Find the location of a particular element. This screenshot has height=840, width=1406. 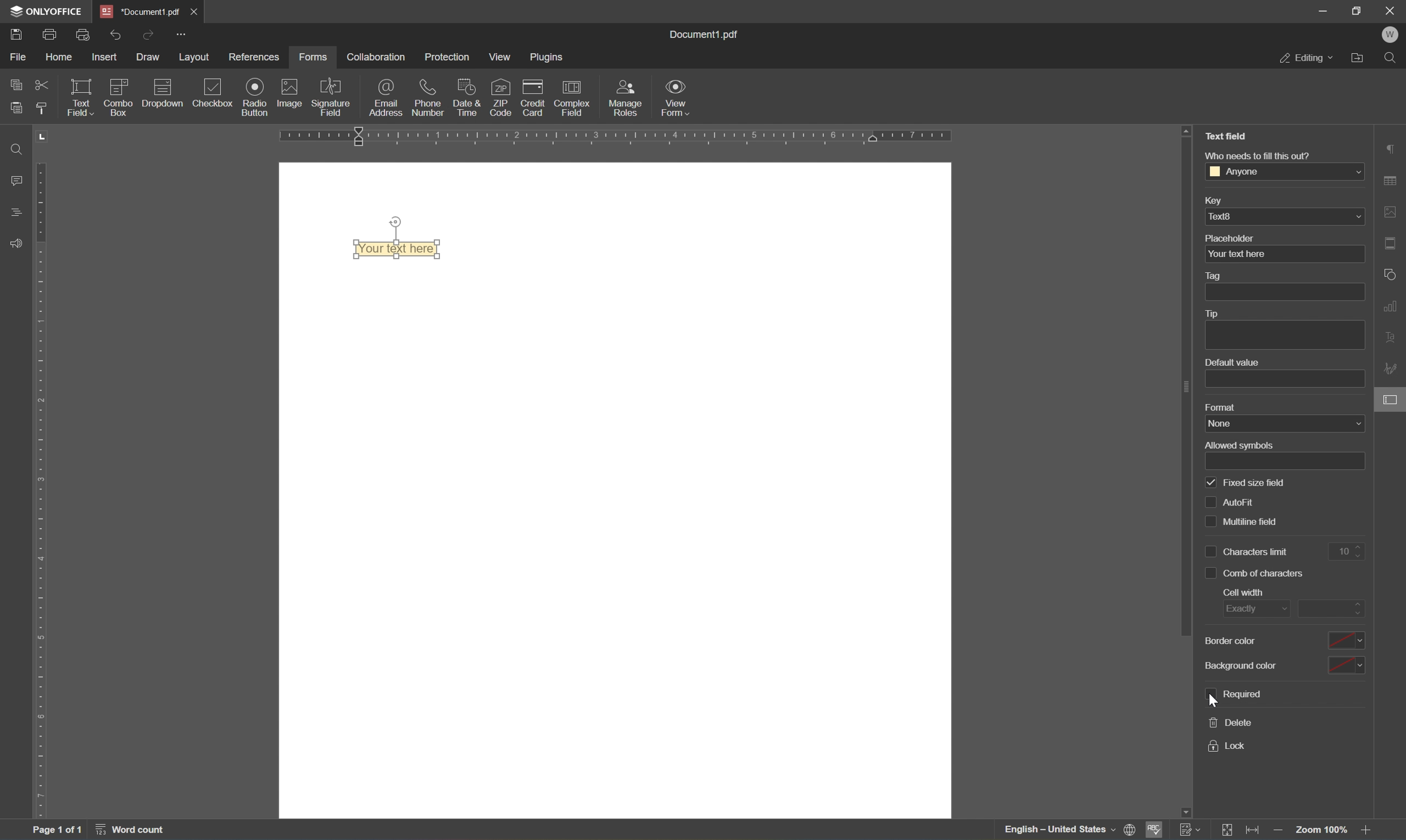

english - united states is located at coordinates (1059, 831).